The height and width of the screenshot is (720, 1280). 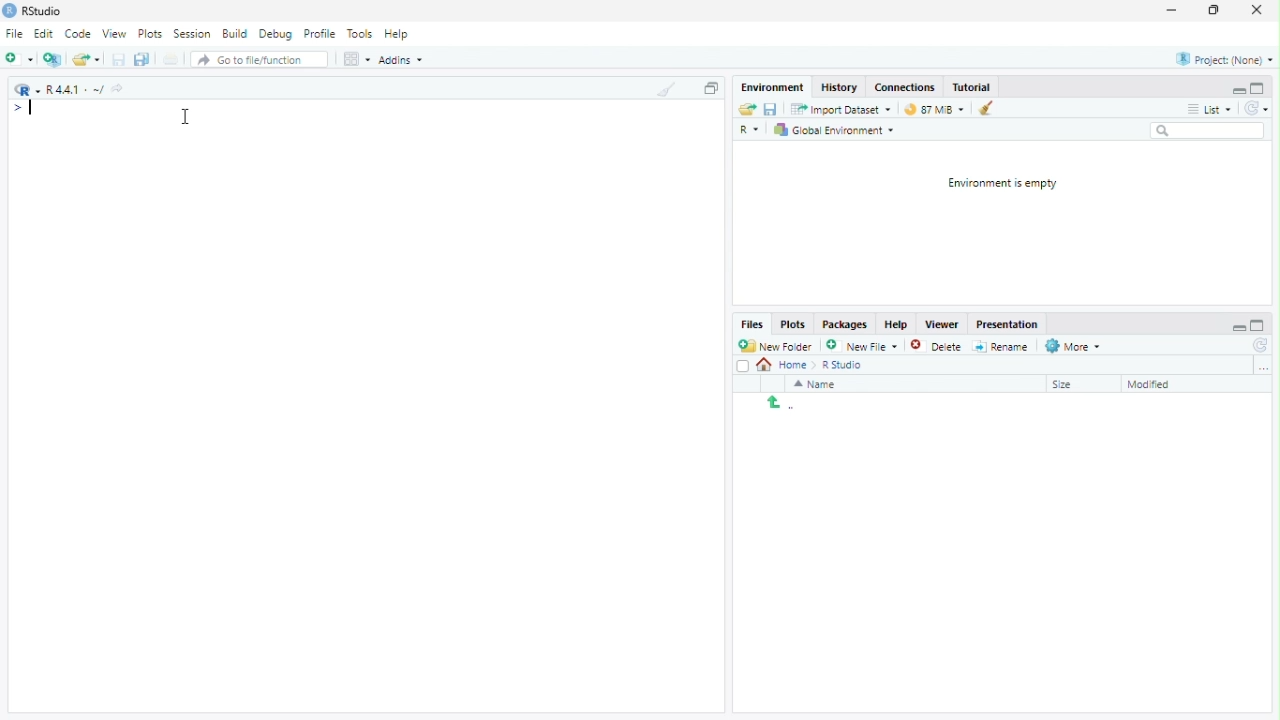 I want to click on Size, so click(x=1065, y=385).